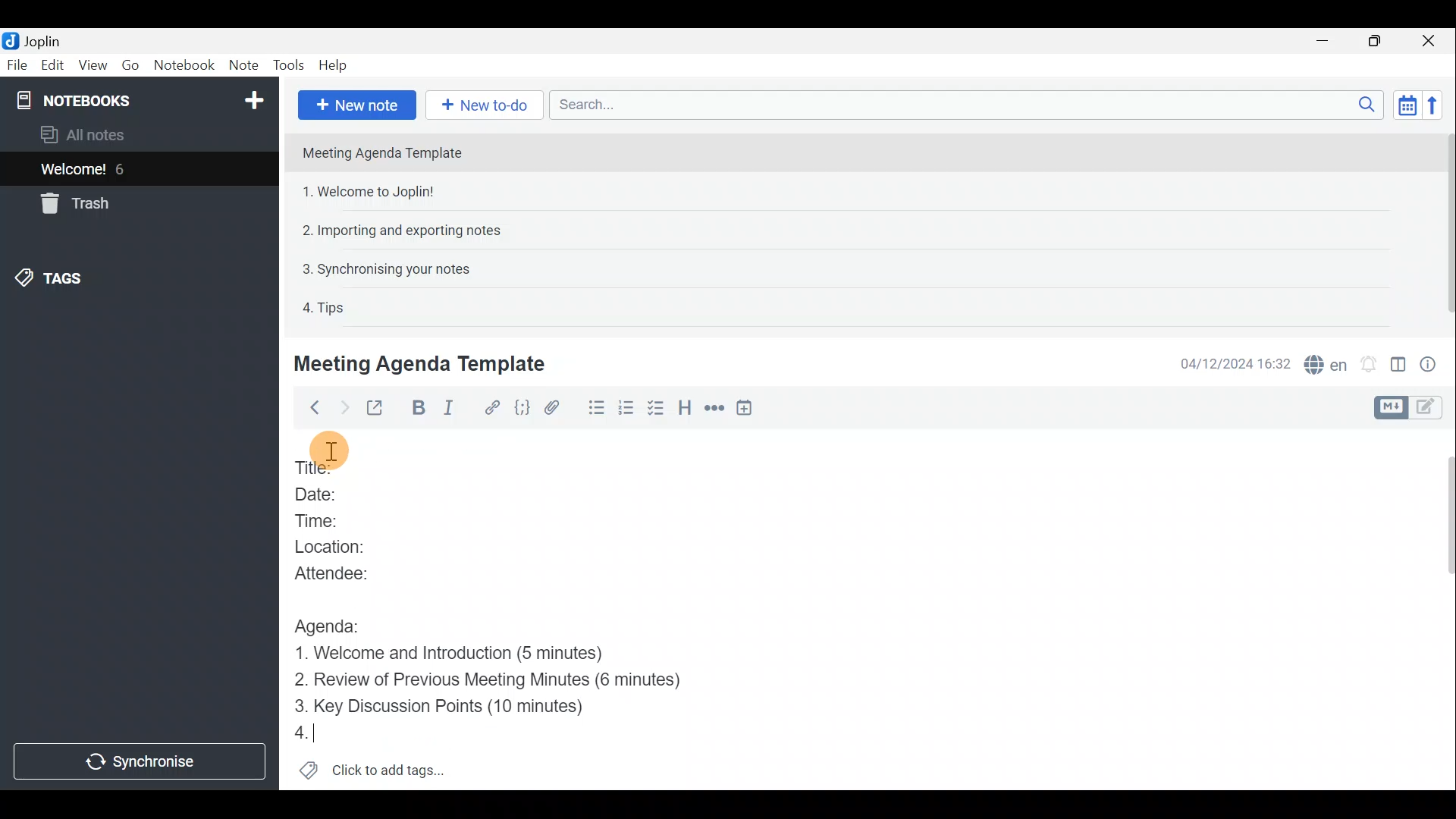 This screenshot has width=1456, height=819. What do you see at coordinates (1399, 367) in the screenshot?
I see `Toggle editor layout` at bounding box center [1399, 367].